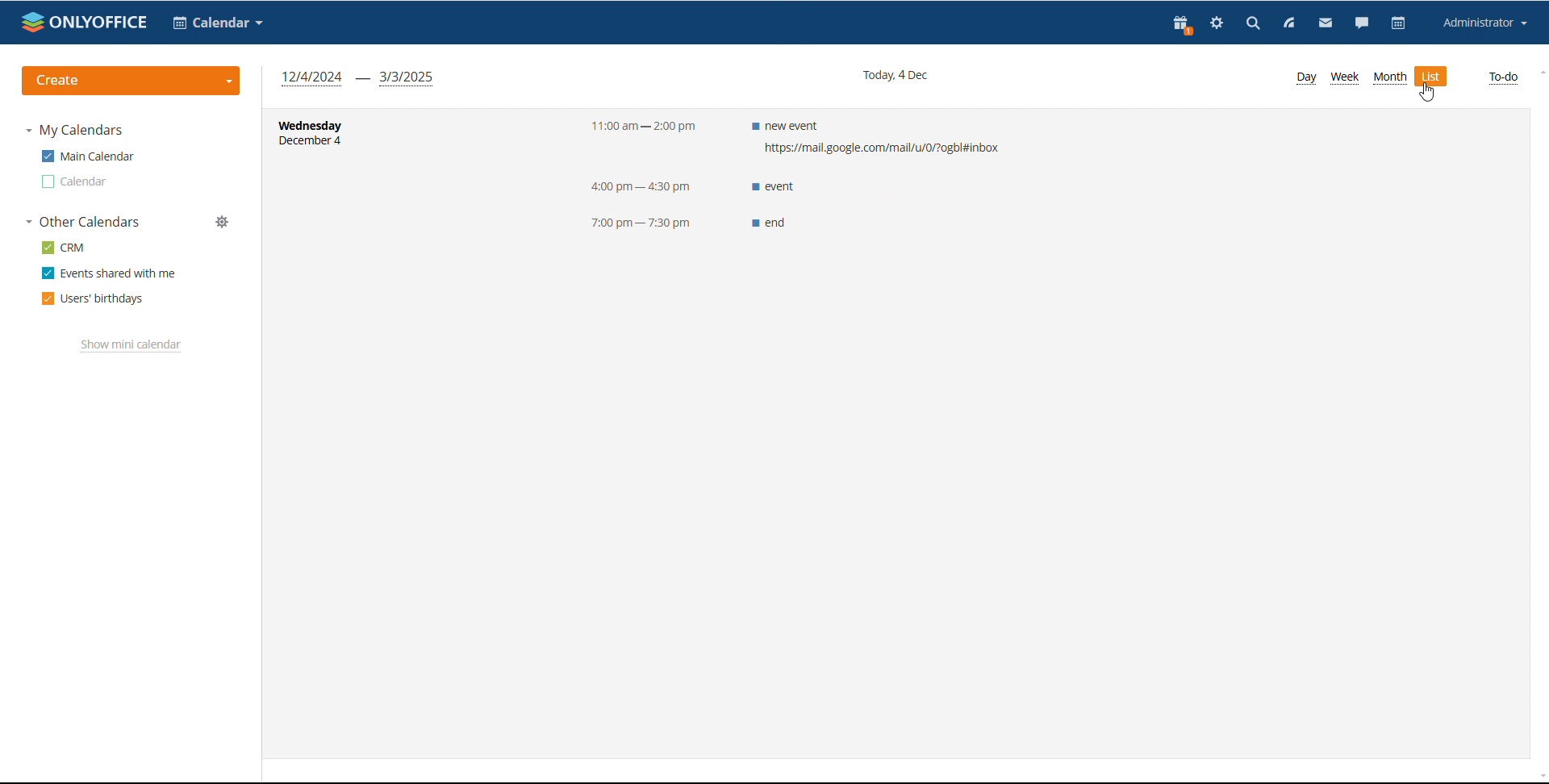 The width and height of the screenshot is (1549, 784). I want to click on crm, so click(64, 248).